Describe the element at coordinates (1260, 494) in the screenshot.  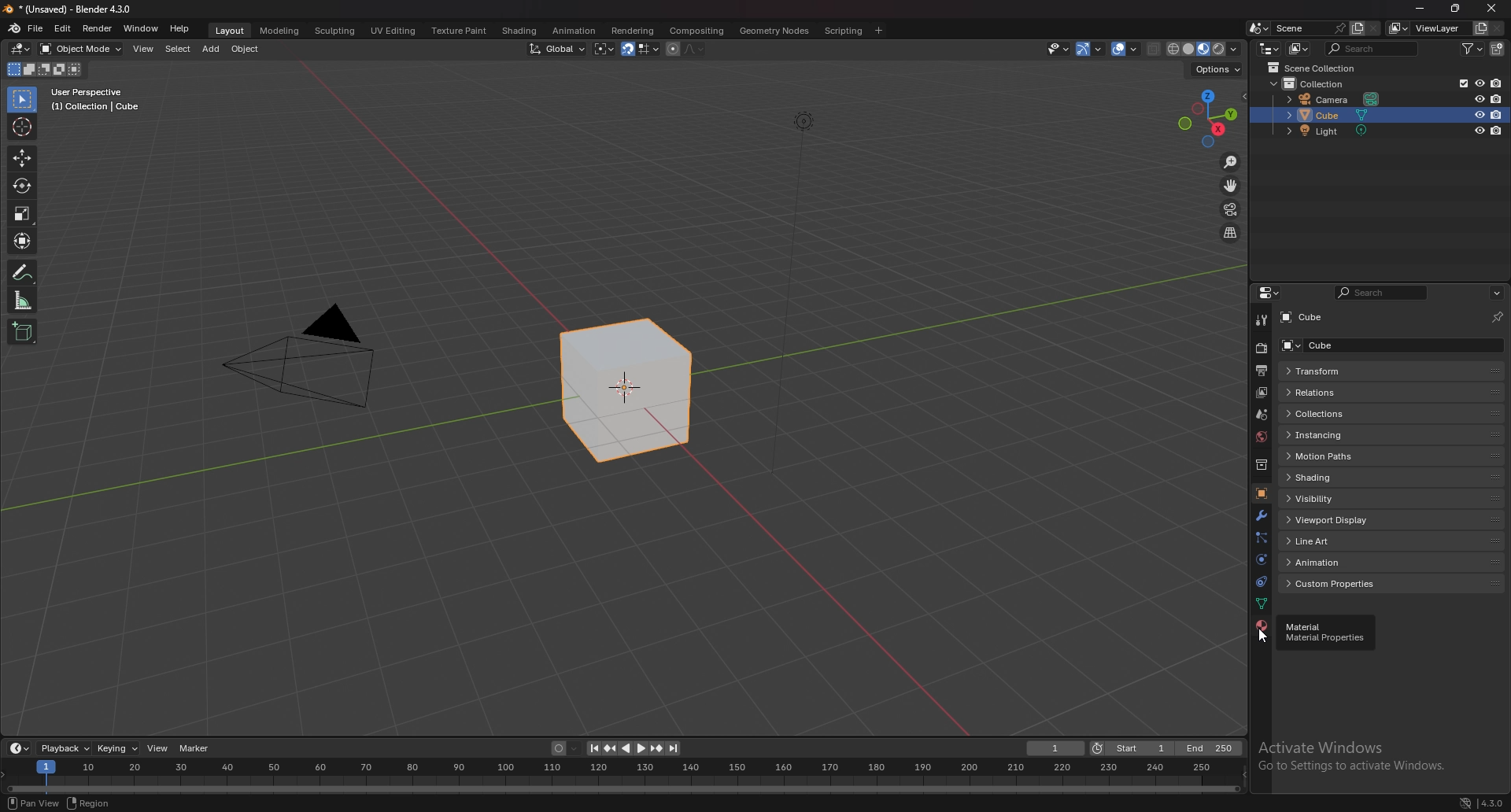
I see `object` at that location.